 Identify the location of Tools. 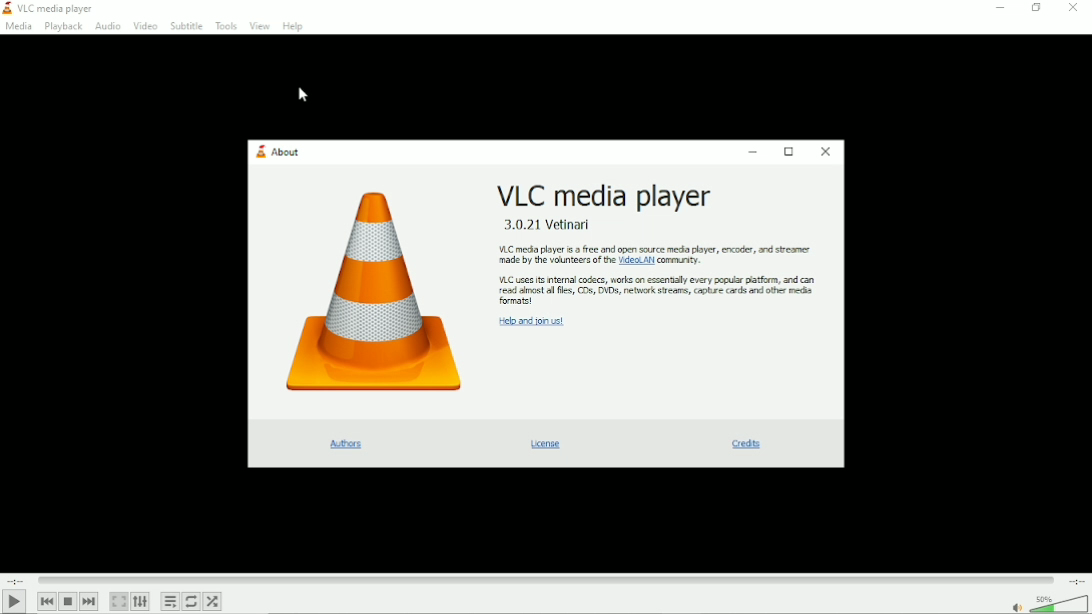
(223, 24).